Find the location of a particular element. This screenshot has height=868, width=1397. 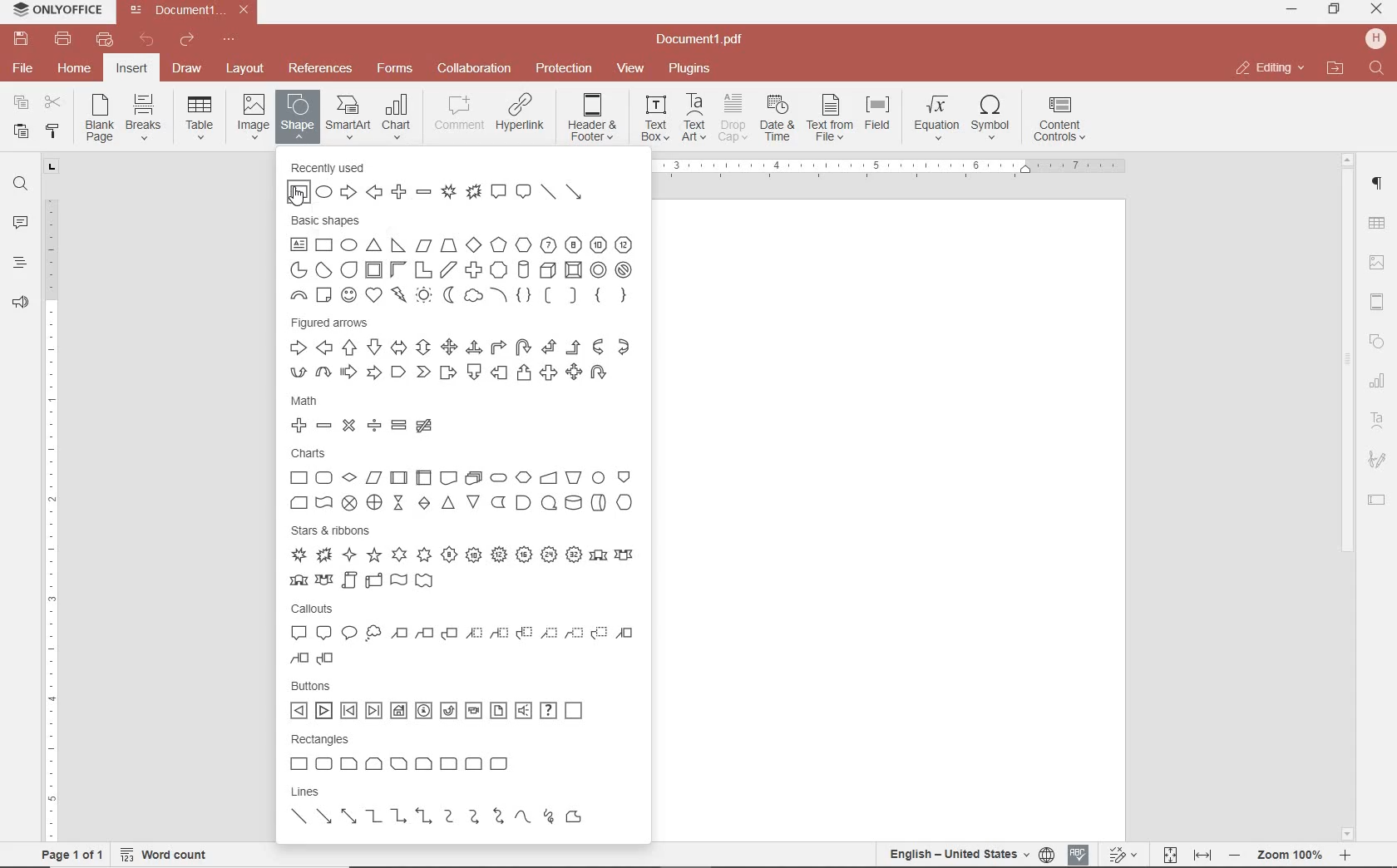

spell checking is located at coordinates (1079, 855).